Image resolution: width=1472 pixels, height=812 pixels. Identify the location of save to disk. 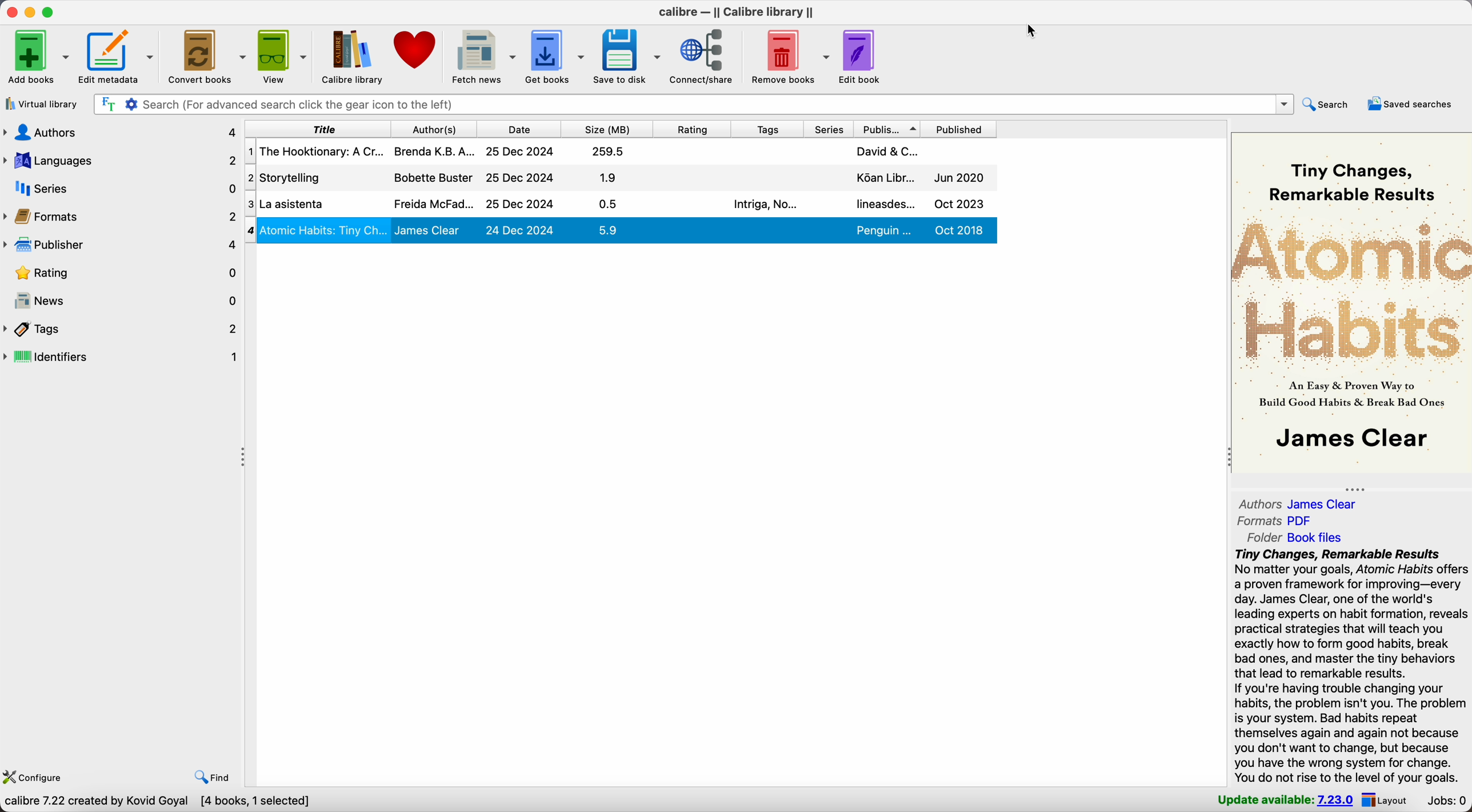
(627, 55).